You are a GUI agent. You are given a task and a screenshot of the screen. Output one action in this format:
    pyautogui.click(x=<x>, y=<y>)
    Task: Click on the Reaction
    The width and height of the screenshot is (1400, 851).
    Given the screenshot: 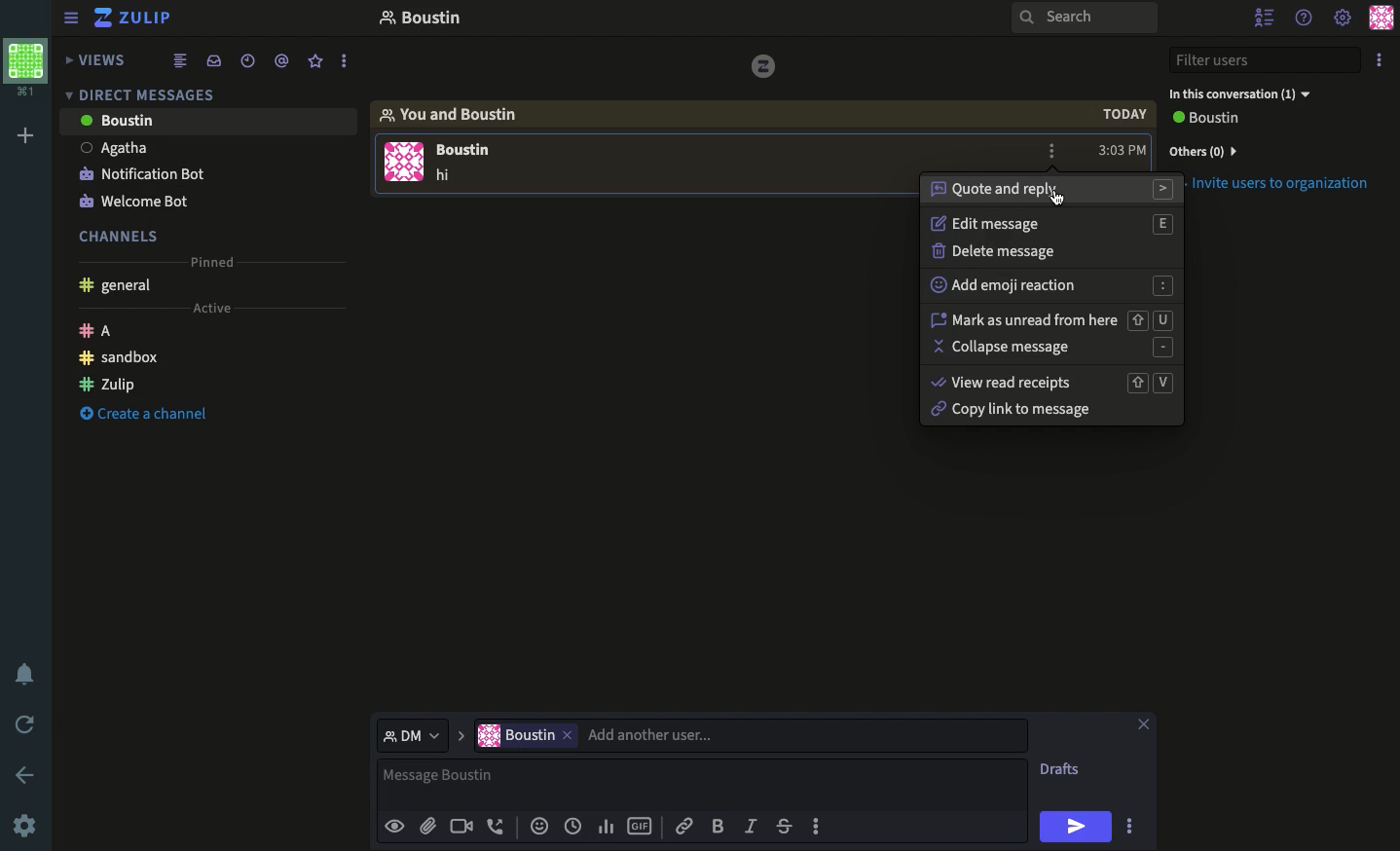 What is the action you would take?
    pyautogui.click(x=539, y=828)
    